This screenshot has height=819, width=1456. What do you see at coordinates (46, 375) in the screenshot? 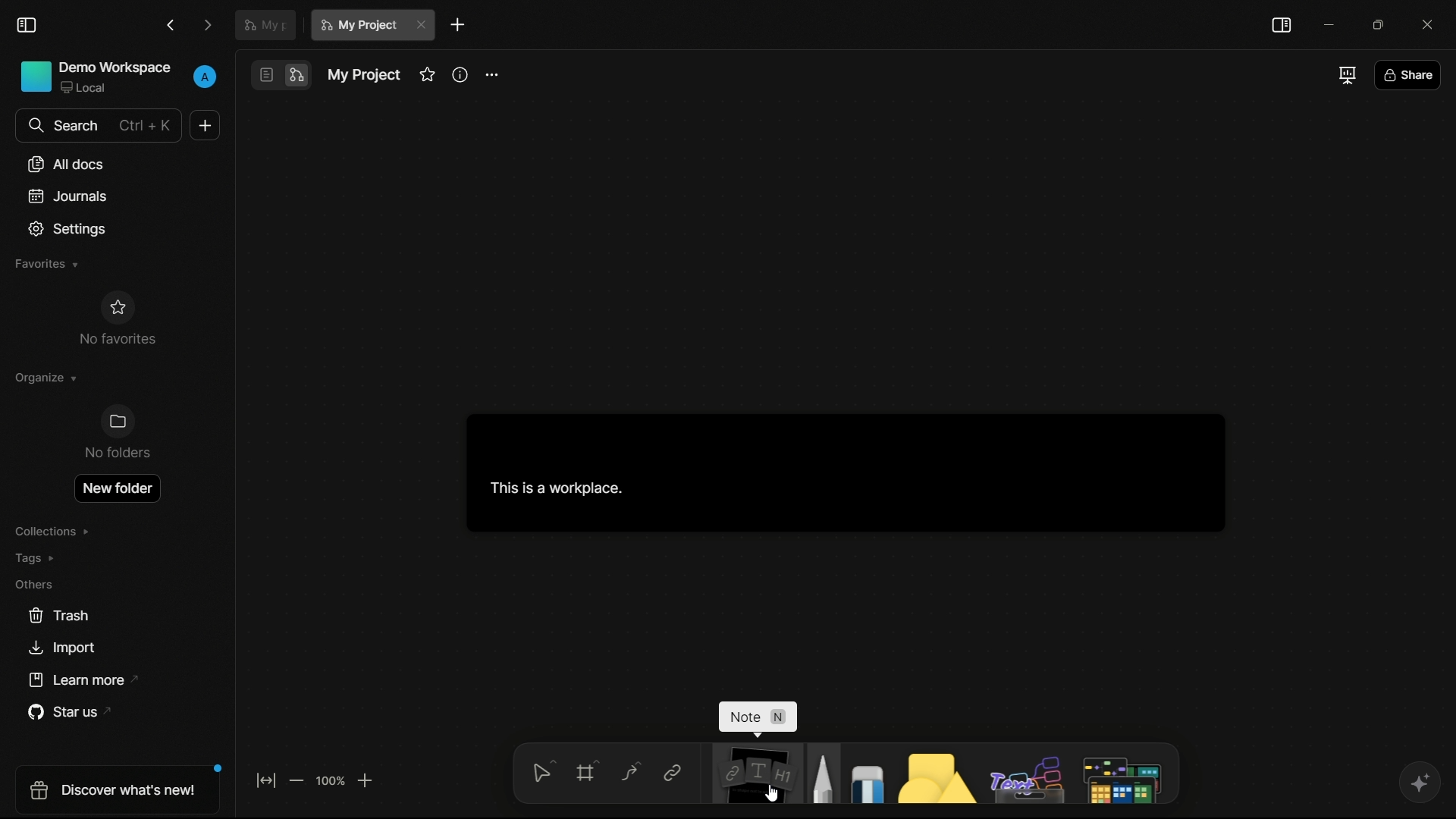
I see `organize` at bounding box center [46, 375].